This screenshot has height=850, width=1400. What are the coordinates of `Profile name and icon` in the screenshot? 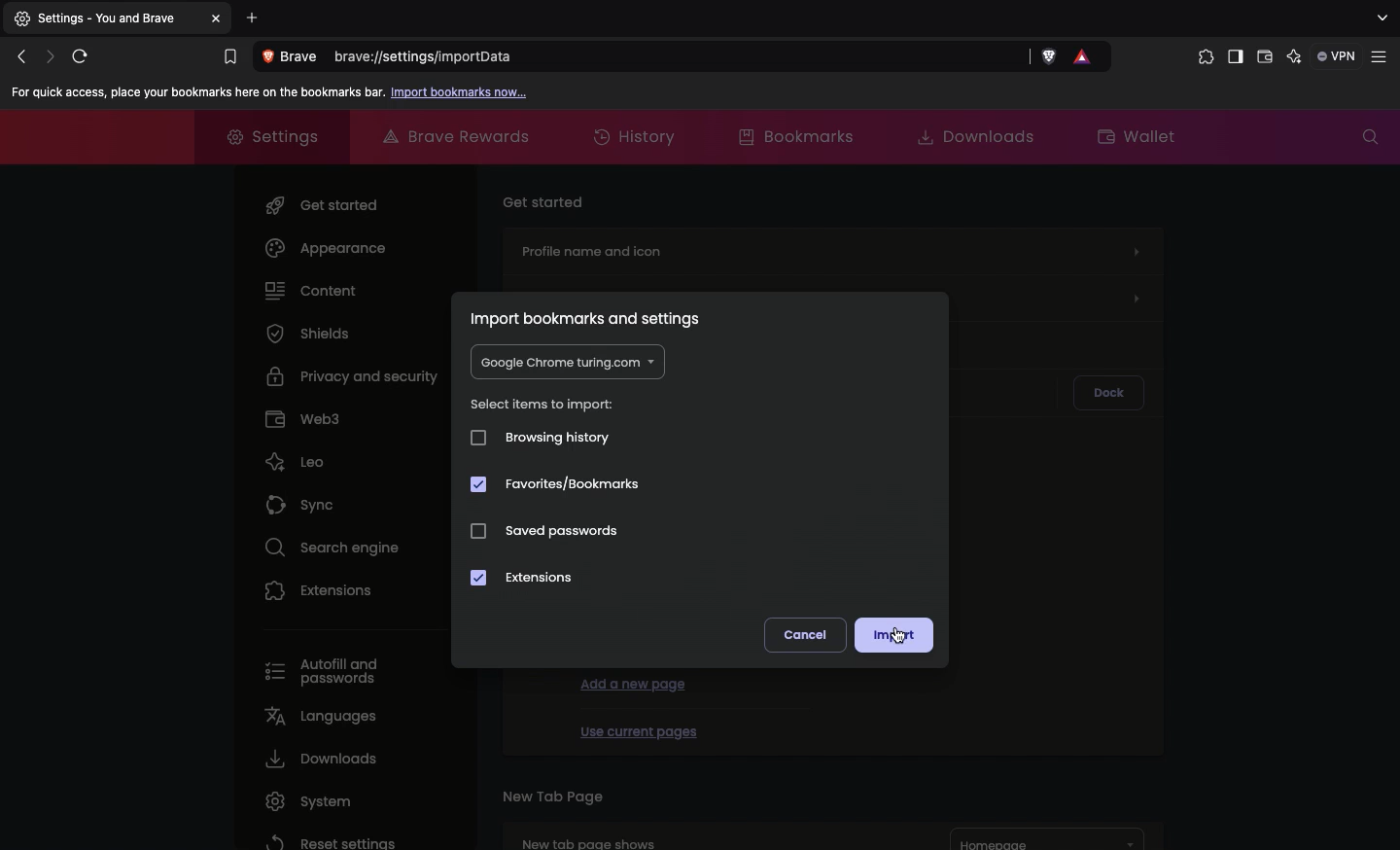 It's located at (830, 248).